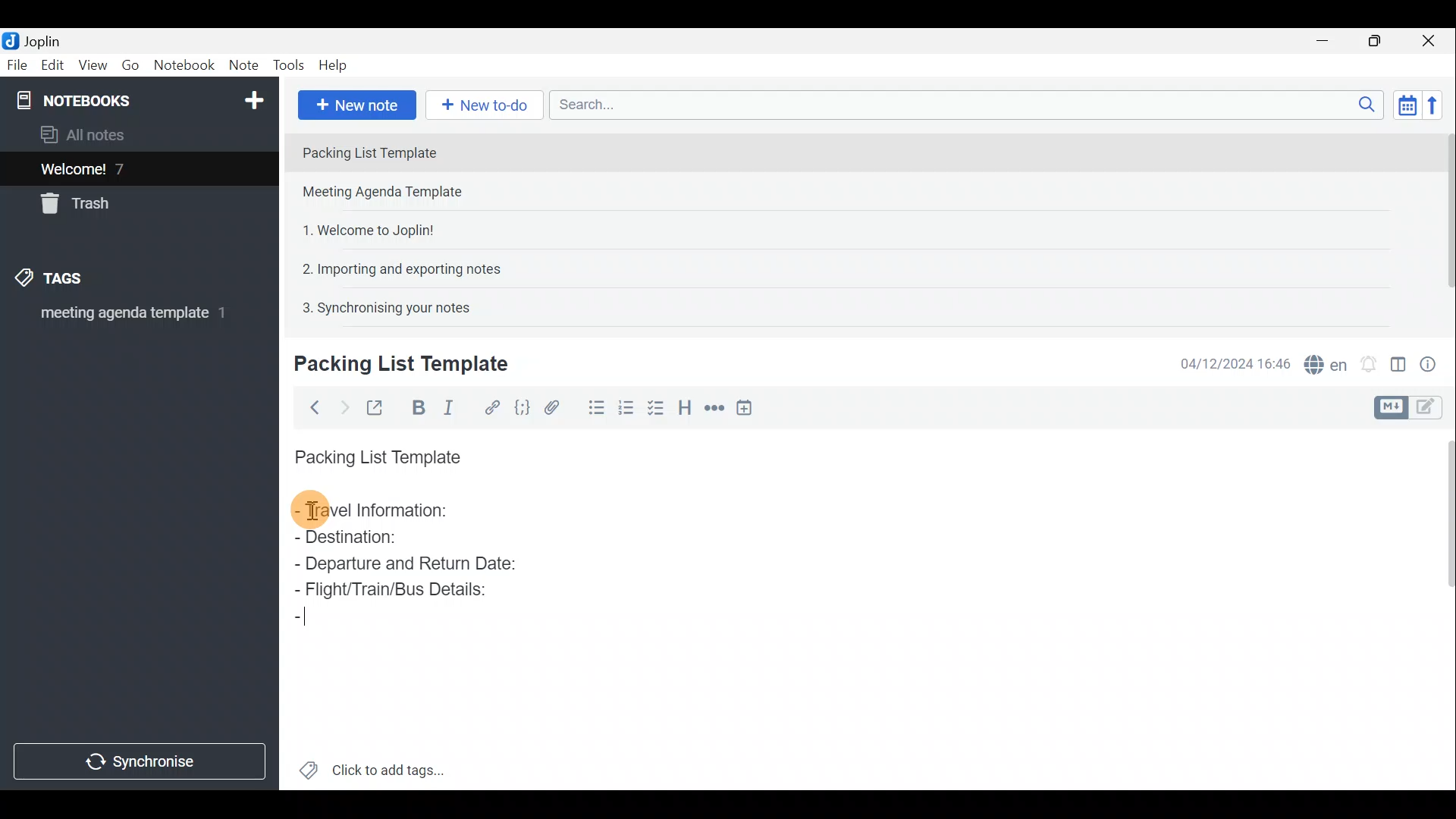 The width and height of the screenshot is (1456, 819). I want to click on Attach file, so click(552, 406).